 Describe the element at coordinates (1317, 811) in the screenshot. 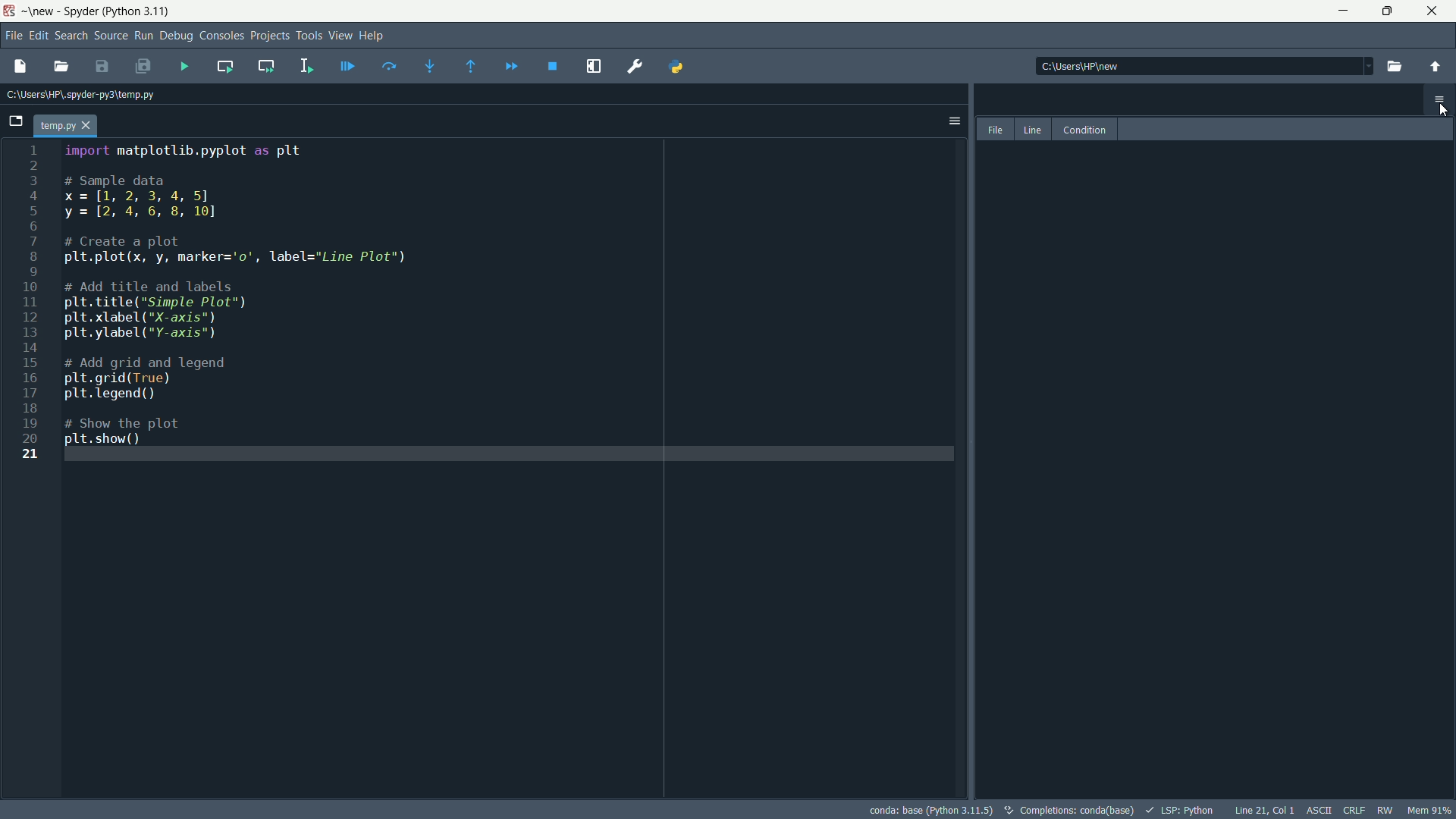

I see `ASCII` at that location.